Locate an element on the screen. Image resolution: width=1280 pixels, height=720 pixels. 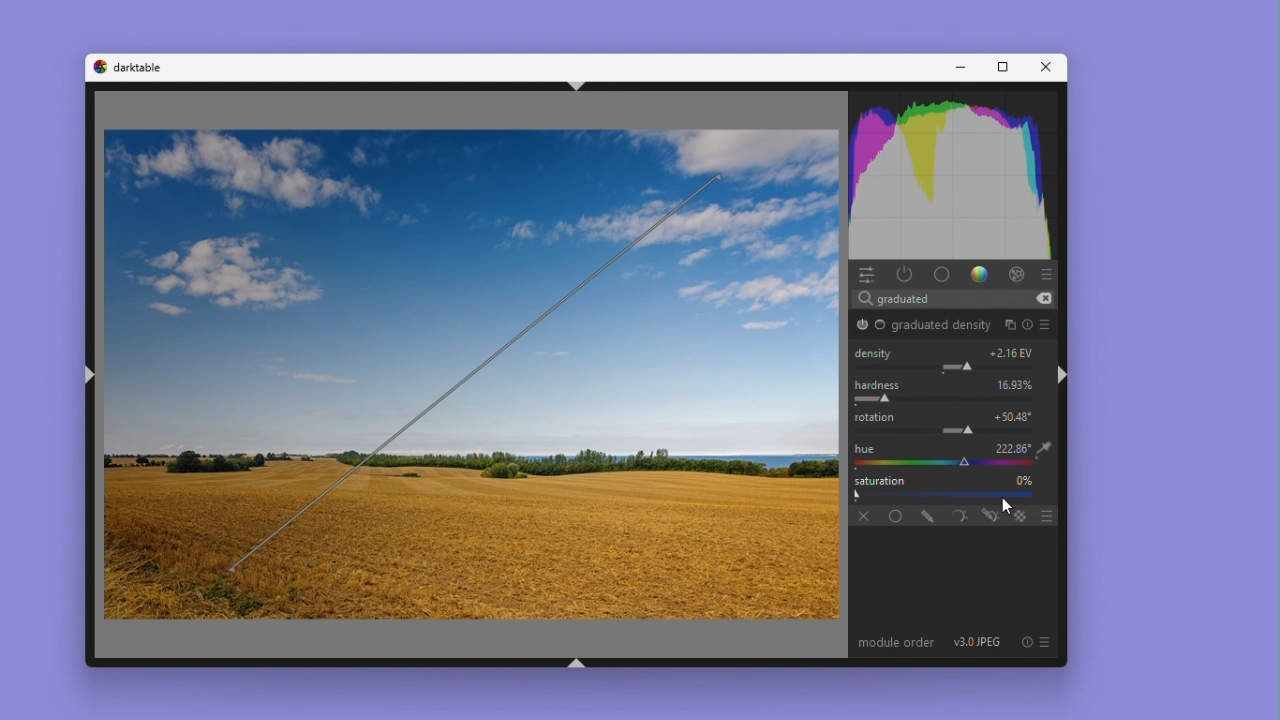
preset is located at coordinates (1047, 642).